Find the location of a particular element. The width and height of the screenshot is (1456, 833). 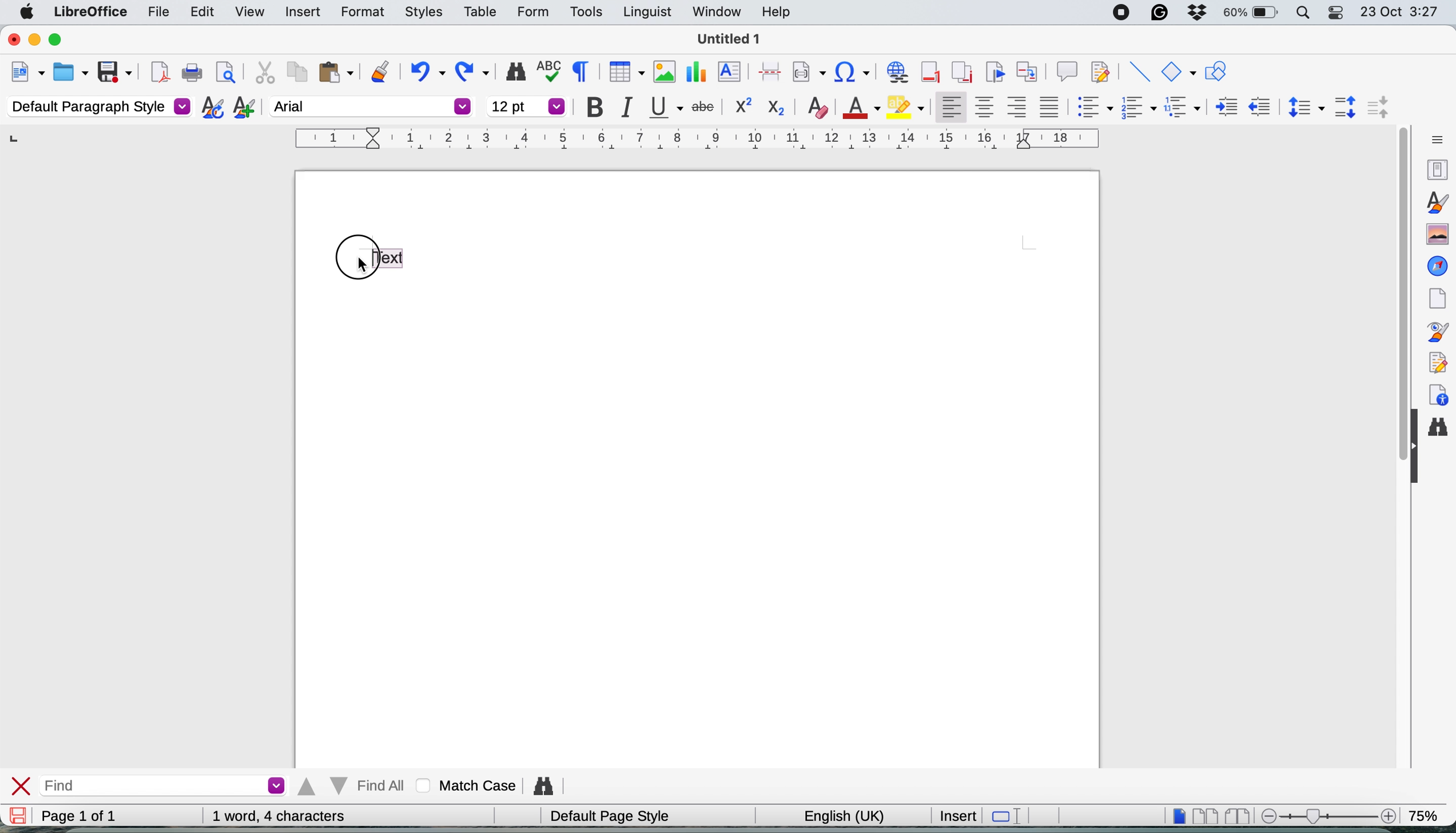

insert bookmark is located at coordinates (994, 73).